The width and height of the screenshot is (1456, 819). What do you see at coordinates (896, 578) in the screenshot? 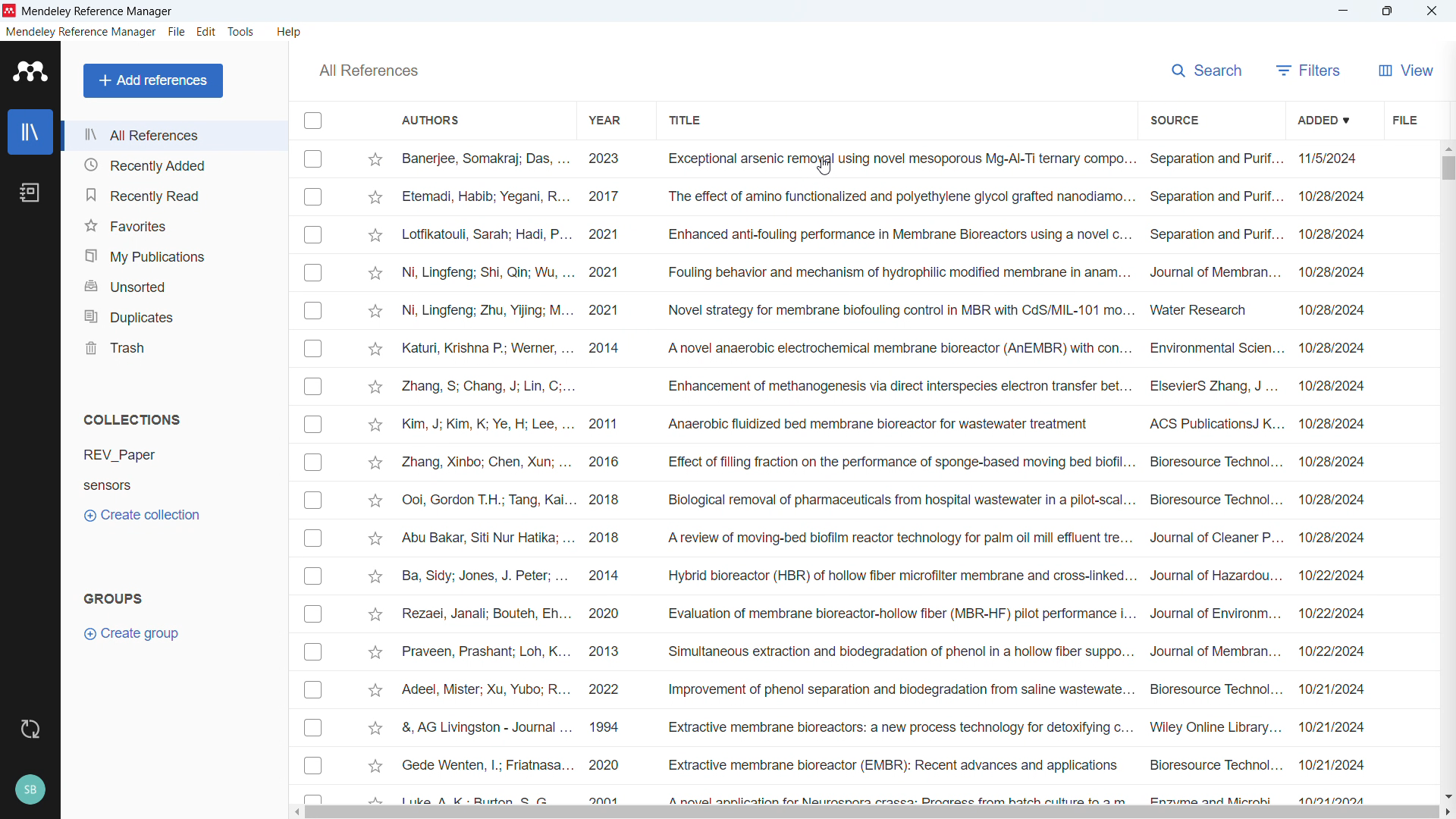
I see `hybrid bioreactor of hollow fiber microfilter membrane and cross linked` at bounding box center [896, 578].